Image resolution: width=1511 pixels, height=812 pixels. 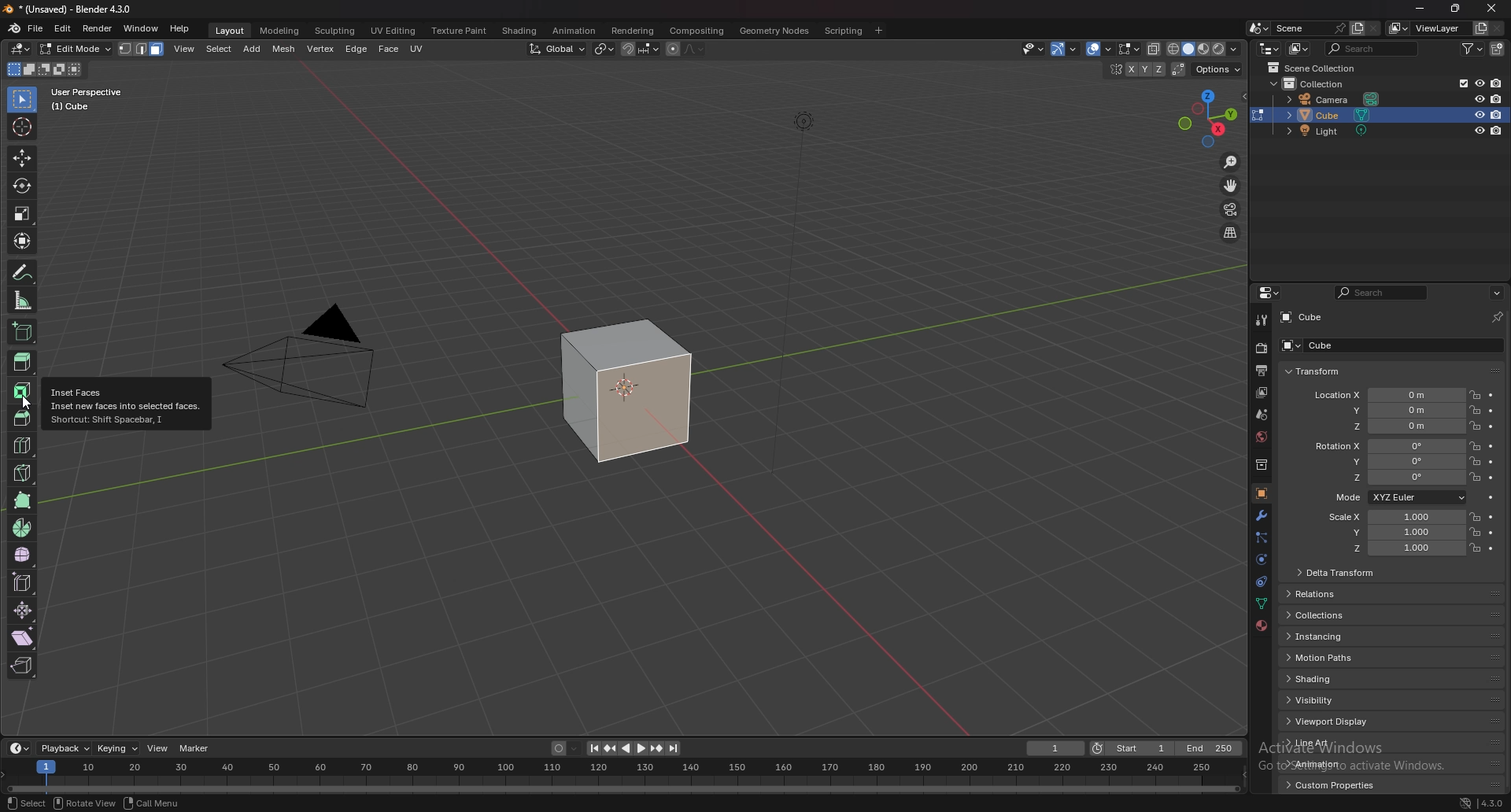 What do you see at coordinates (1421, 9) in the screenshot?
I see `minimize` at bounding box center [1421, 9].